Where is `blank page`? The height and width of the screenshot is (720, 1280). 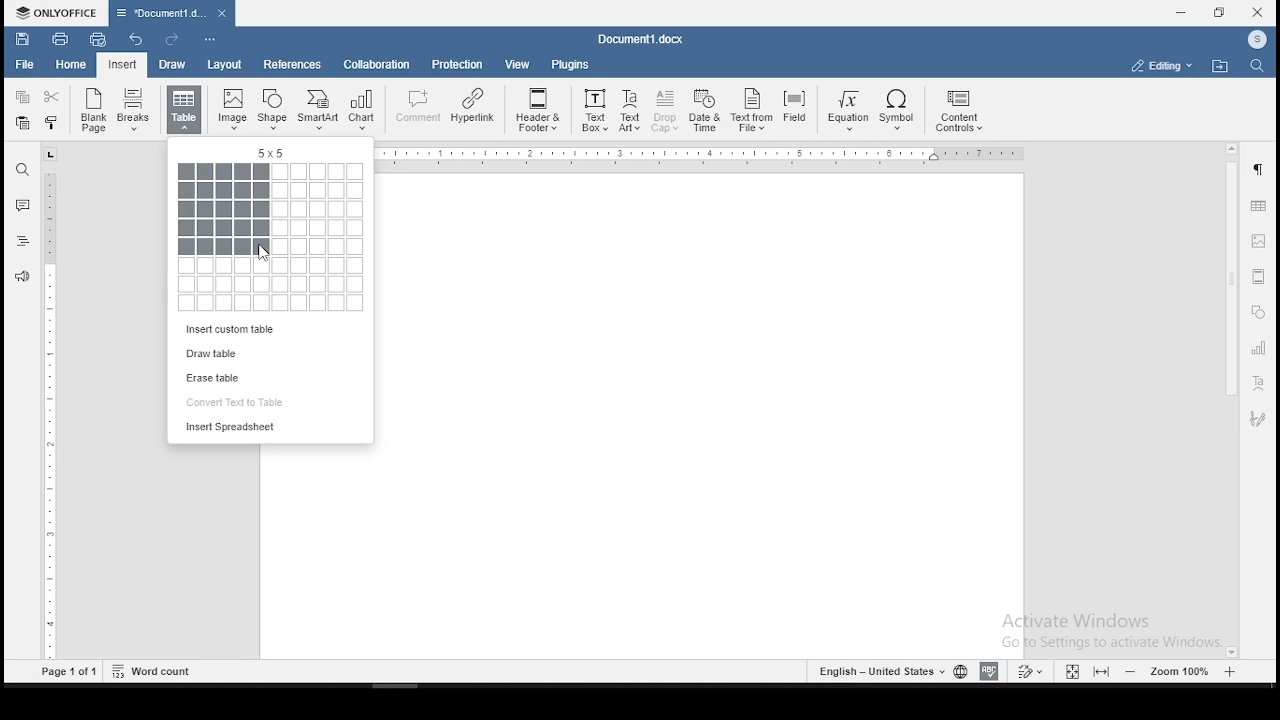
blank page is located at coordinates (91, 112).